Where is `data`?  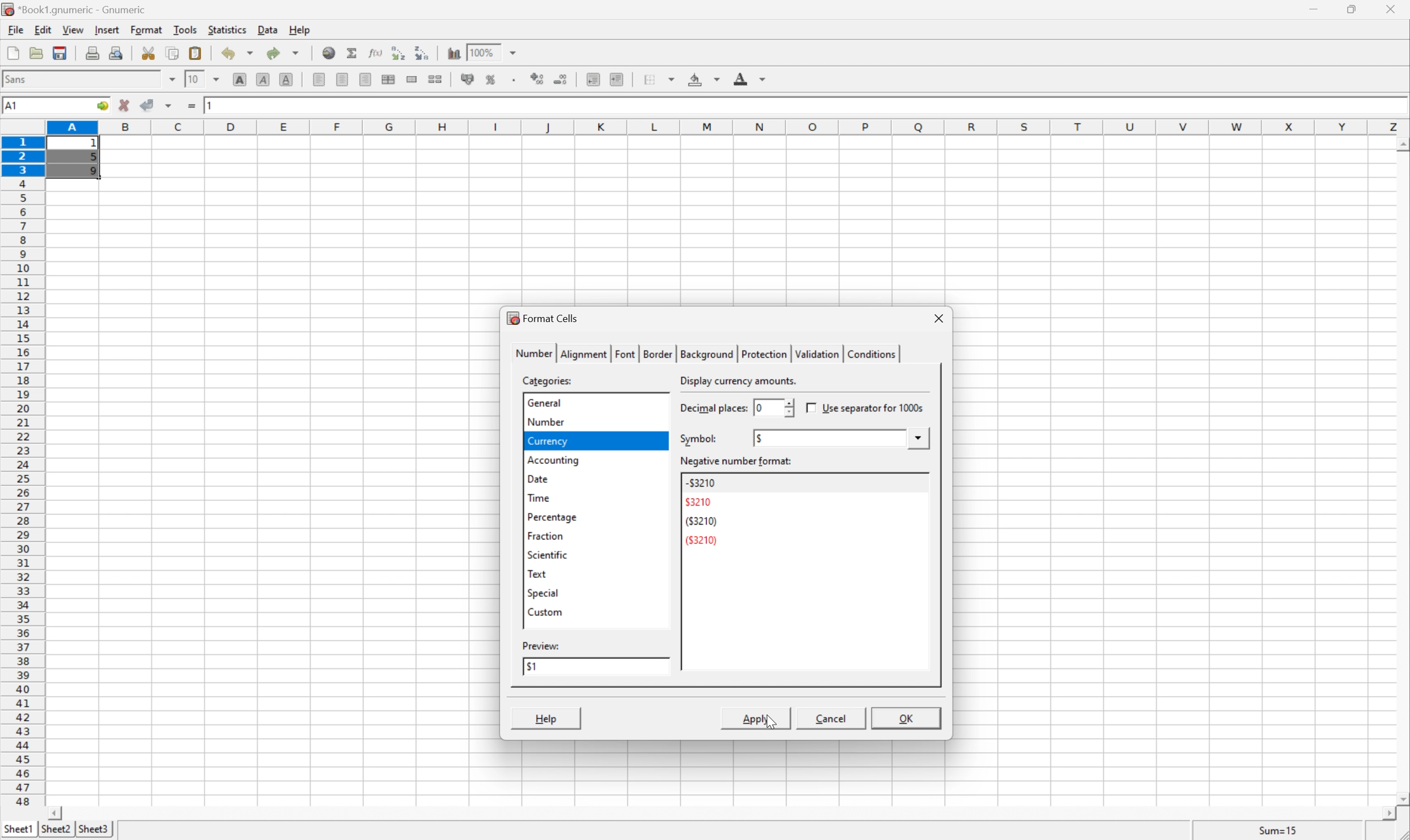
data is located at coordinates (269, 27).